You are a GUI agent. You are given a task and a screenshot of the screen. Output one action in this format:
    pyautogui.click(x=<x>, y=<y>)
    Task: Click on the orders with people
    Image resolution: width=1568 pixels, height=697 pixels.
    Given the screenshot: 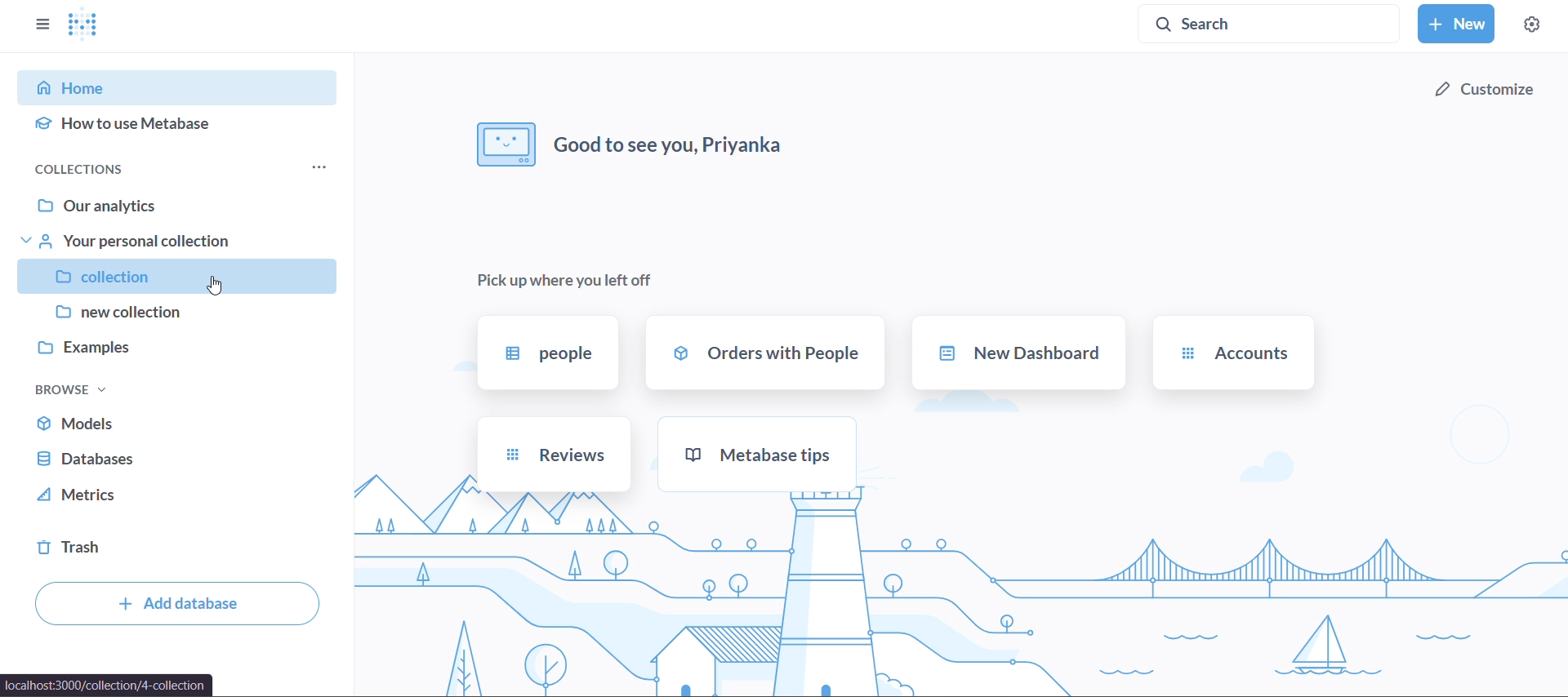 What is the action you would take?
    pyautogui.click(x=770, y=352)
    